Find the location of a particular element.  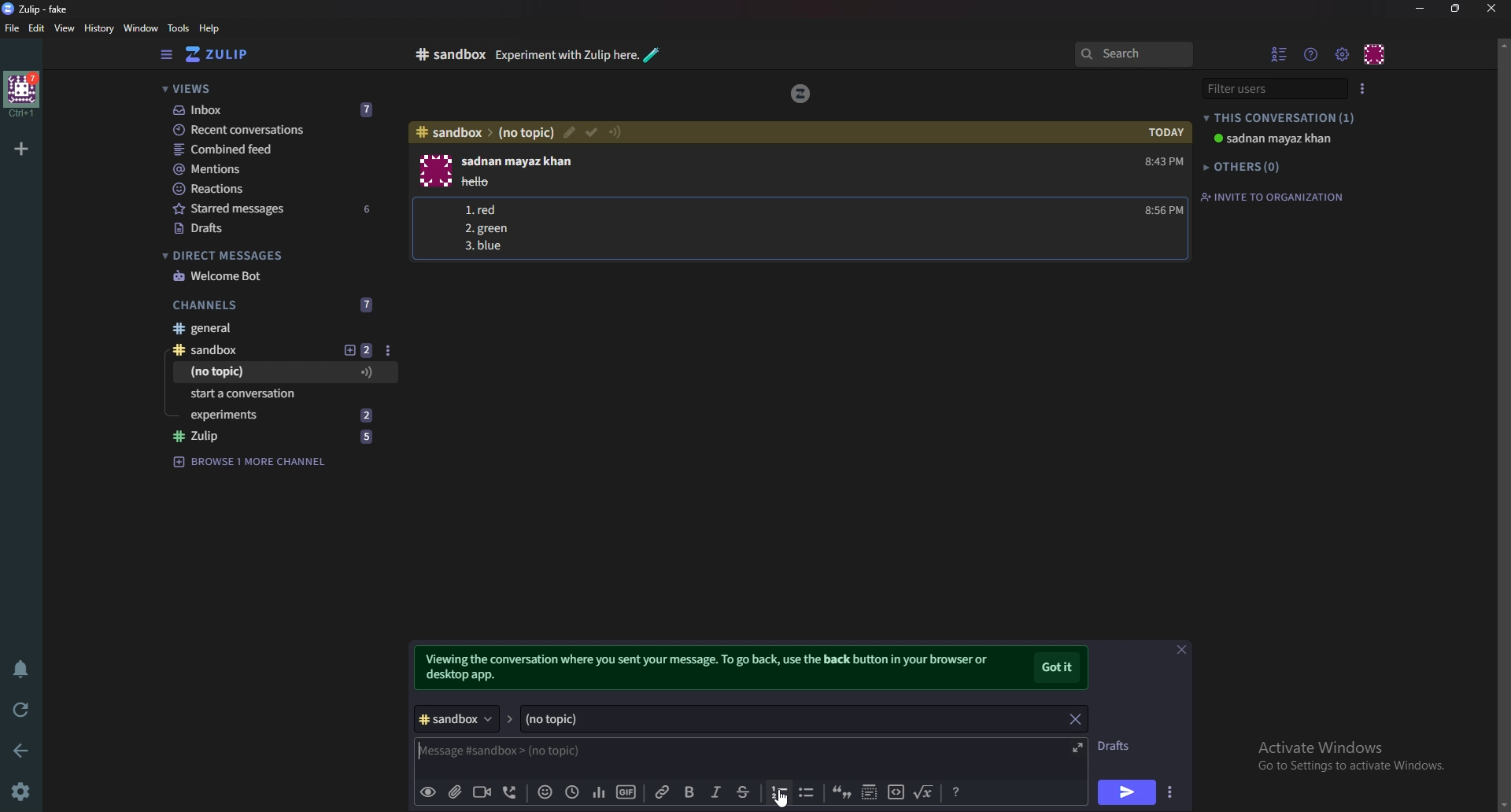

message is located at coordinates (488, 181).